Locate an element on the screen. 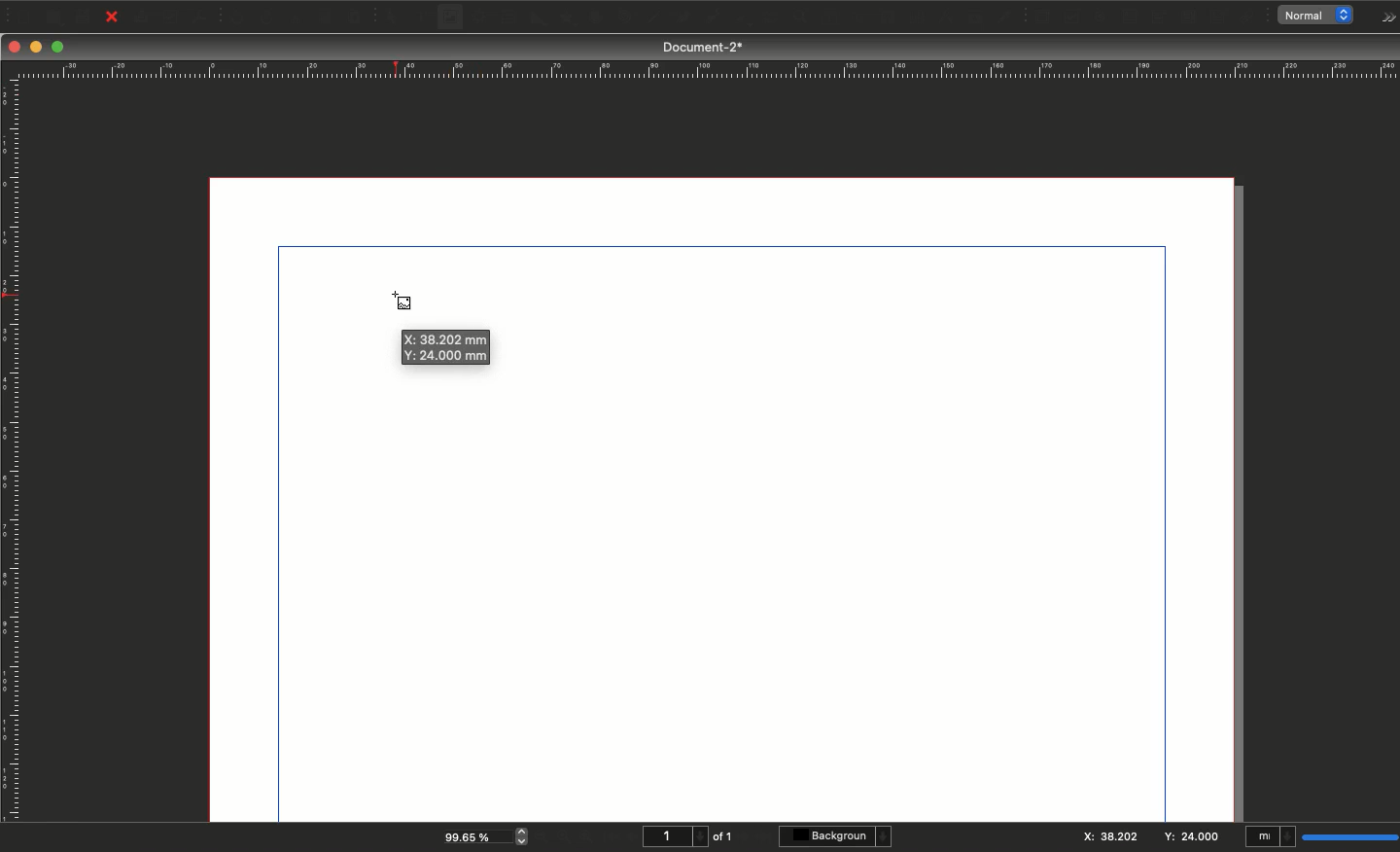 Image resolution: width=1400 pixels, height=852 pixels. Link text frames is located at coordinates (880, 17).